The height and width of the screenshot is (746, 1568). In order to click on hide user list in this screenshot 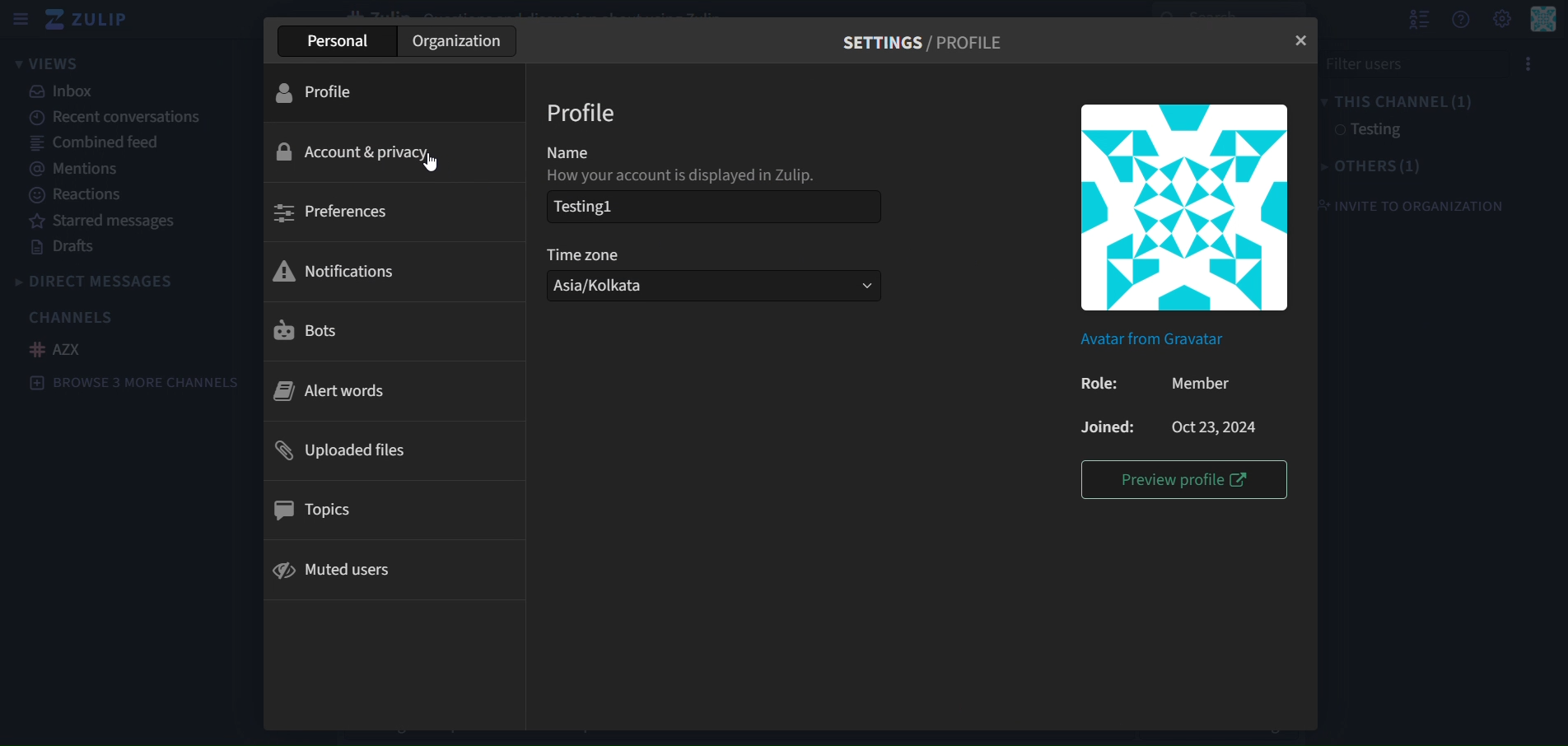, I will do `click(1414, 20)`.